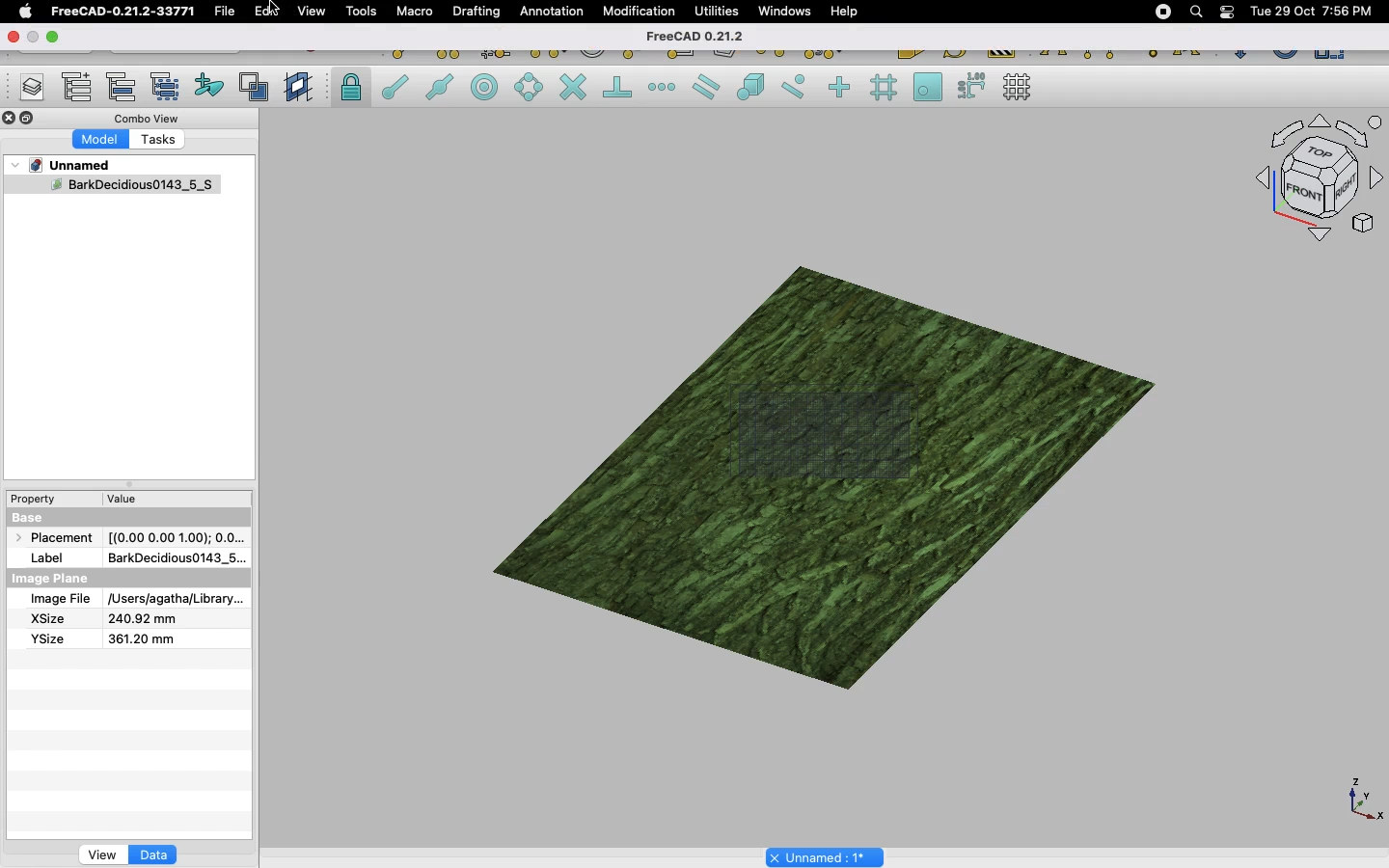 The width and height of the screenshot is (1389, 868). Describe the element at coordinates (789, 14) in the screenshot. I see `Windows` at that location.